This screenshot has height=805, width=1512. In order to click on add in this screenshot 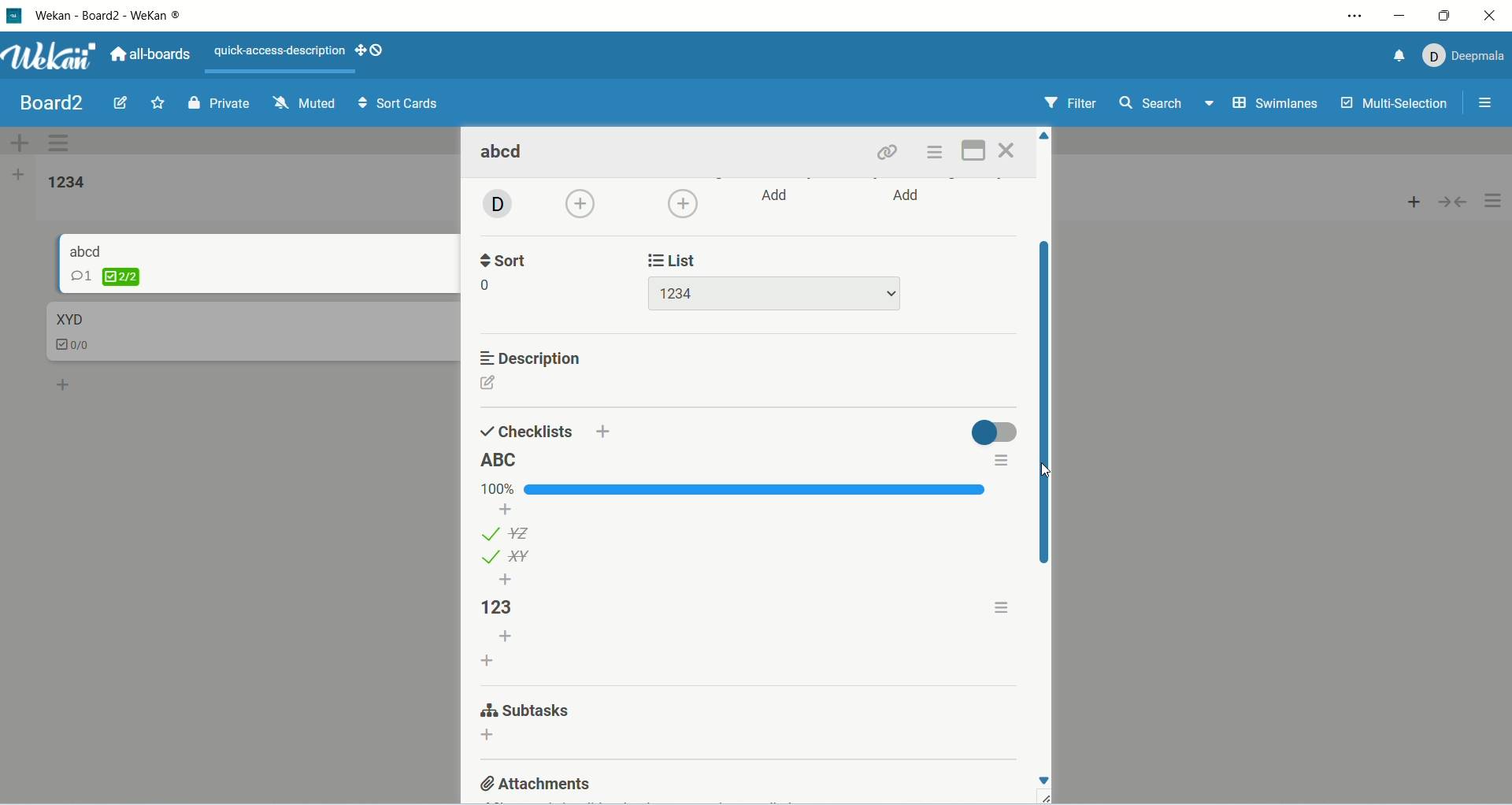, I will do `click(583, 205)`.